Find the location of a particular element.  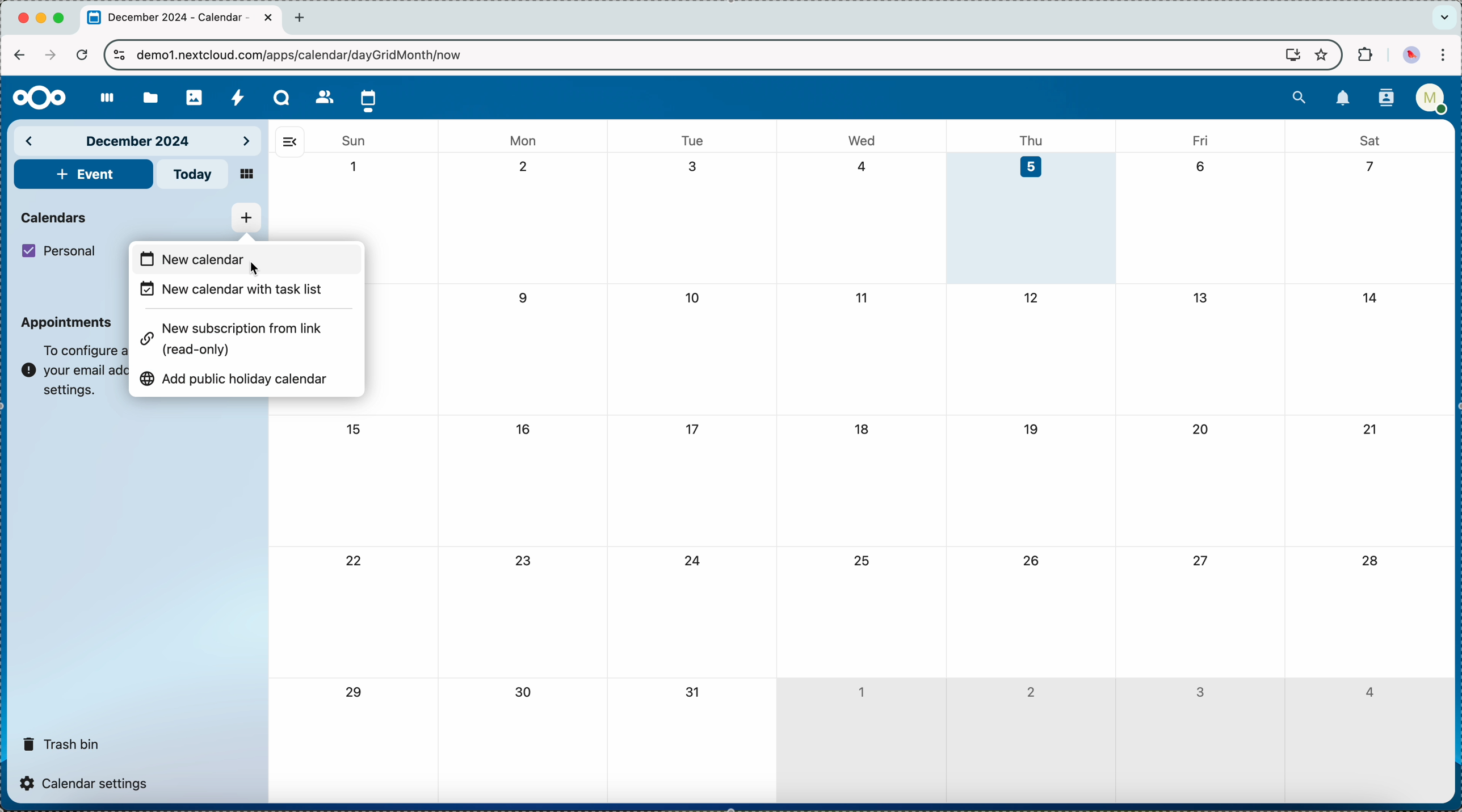

maximize is located at coordinates (61, 18).